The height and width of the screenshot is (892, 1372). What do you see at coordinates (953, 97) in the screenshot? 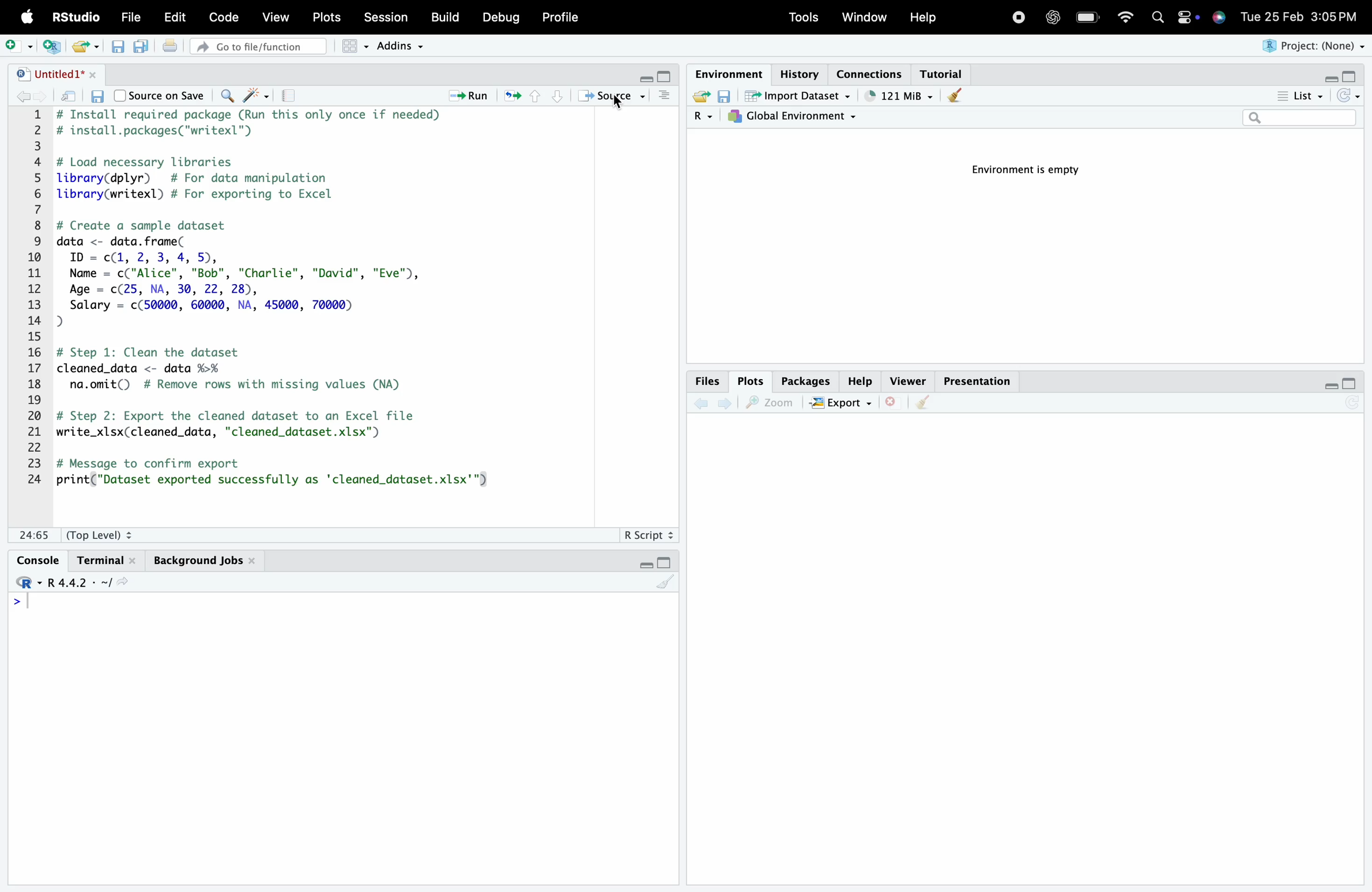
I see `Clear console (Ctrl + L)` at bounding box center [953, 97].